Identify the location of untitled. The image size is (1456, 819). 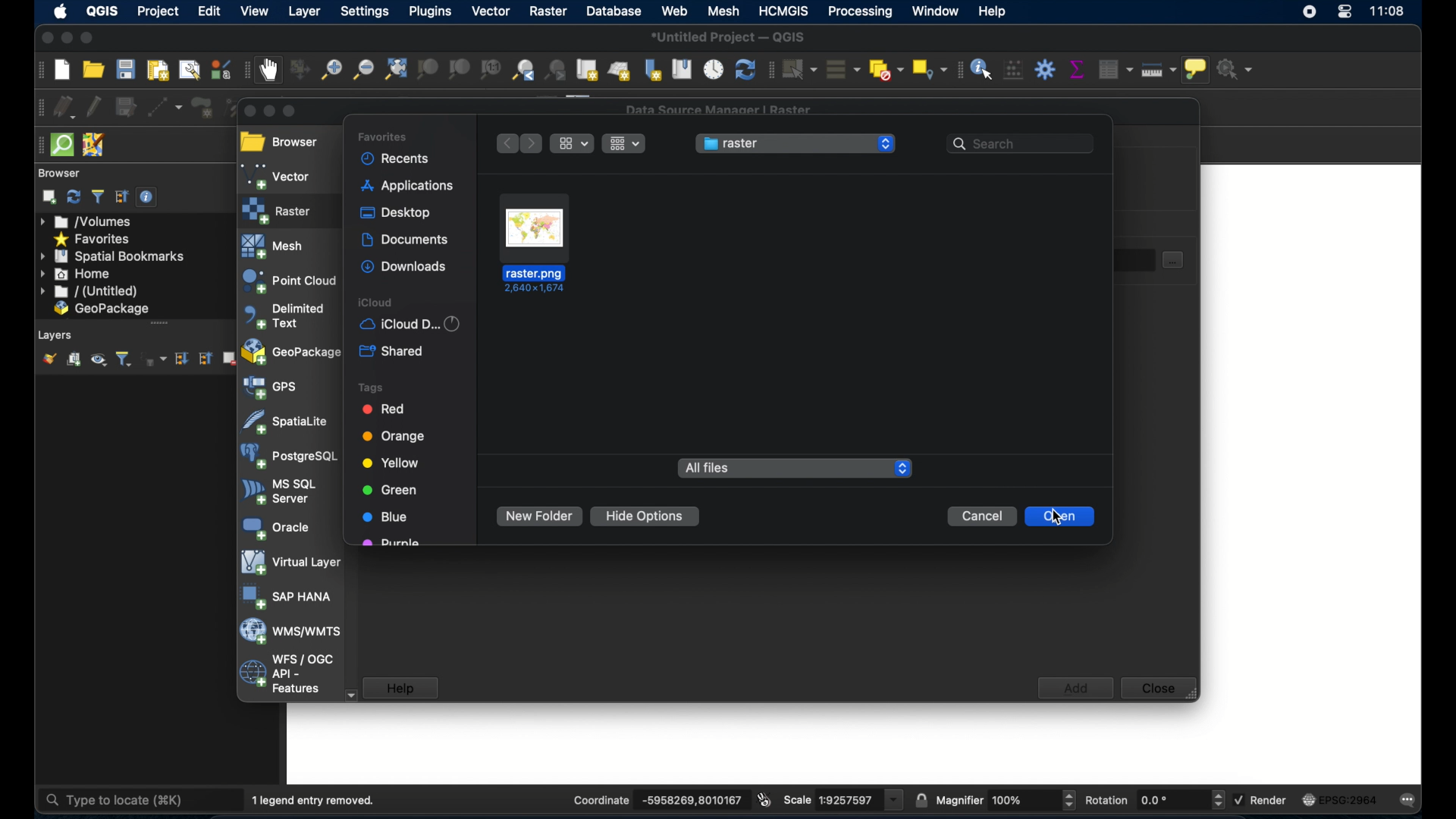
(87, 292).